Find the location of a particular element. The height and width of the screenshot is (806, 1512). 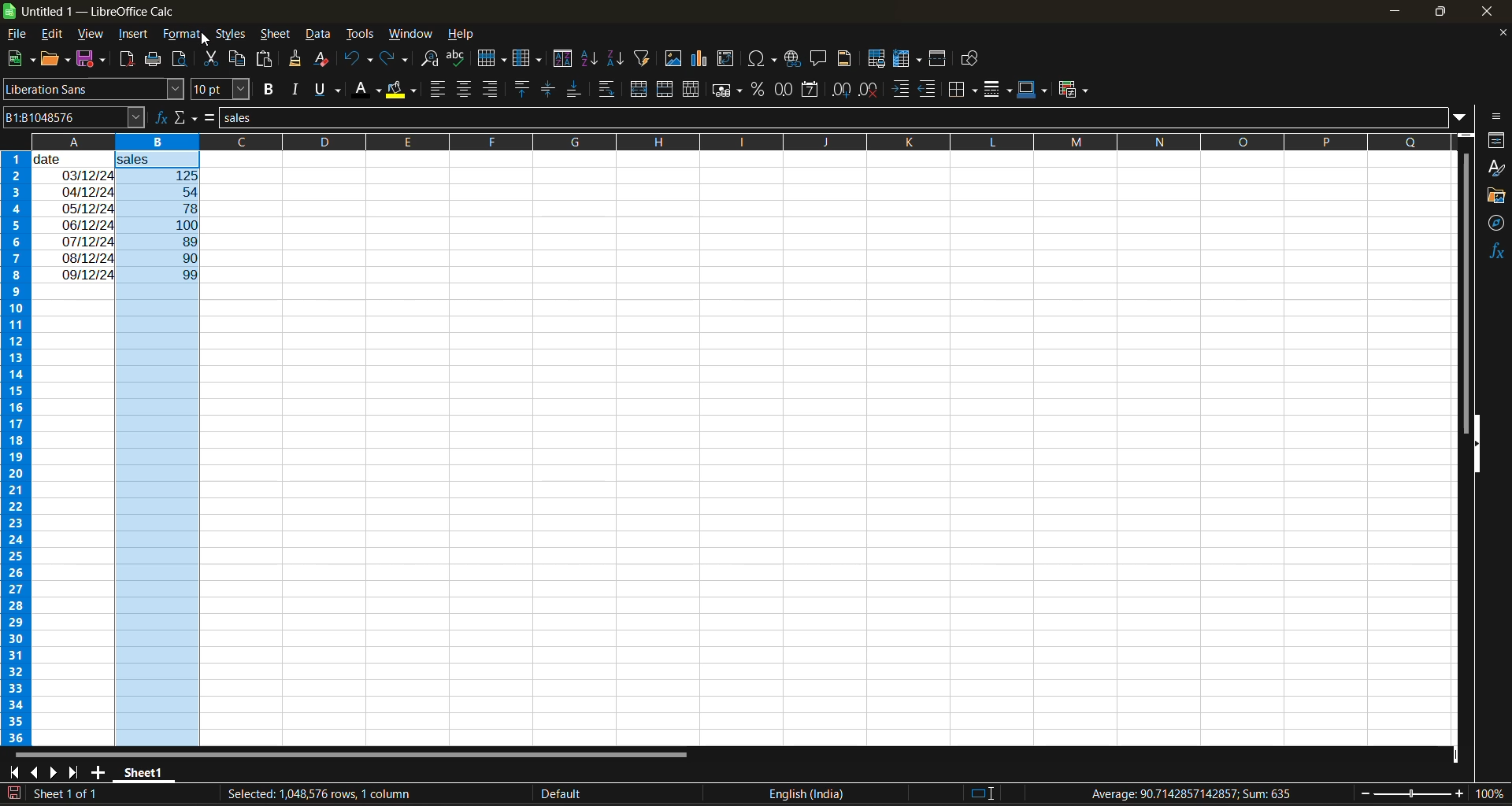

format as number is located at coordinates (784, 91).